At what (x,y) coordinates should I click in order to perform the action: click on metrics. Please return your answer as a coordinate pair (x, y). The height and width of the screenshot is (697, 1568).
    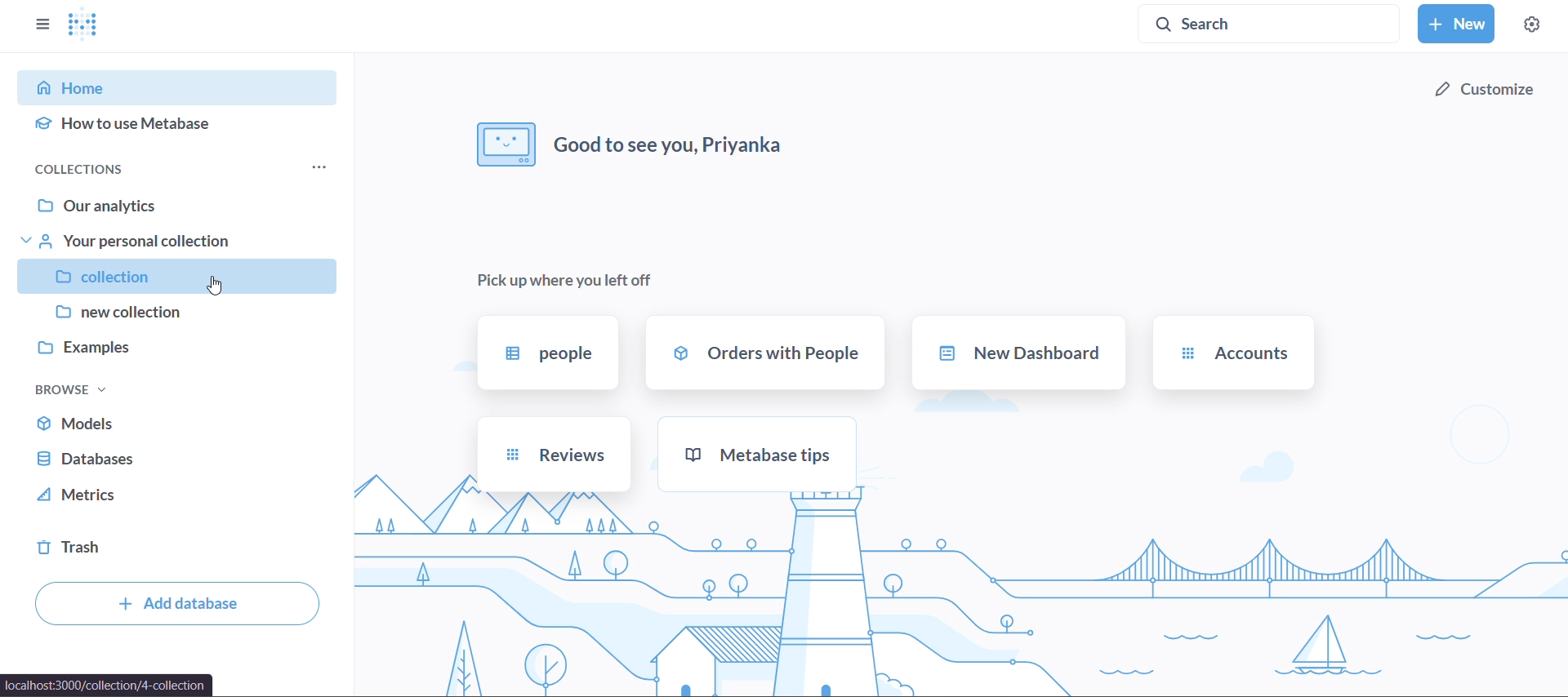
    Looking at the image, I should click on (180, 500).